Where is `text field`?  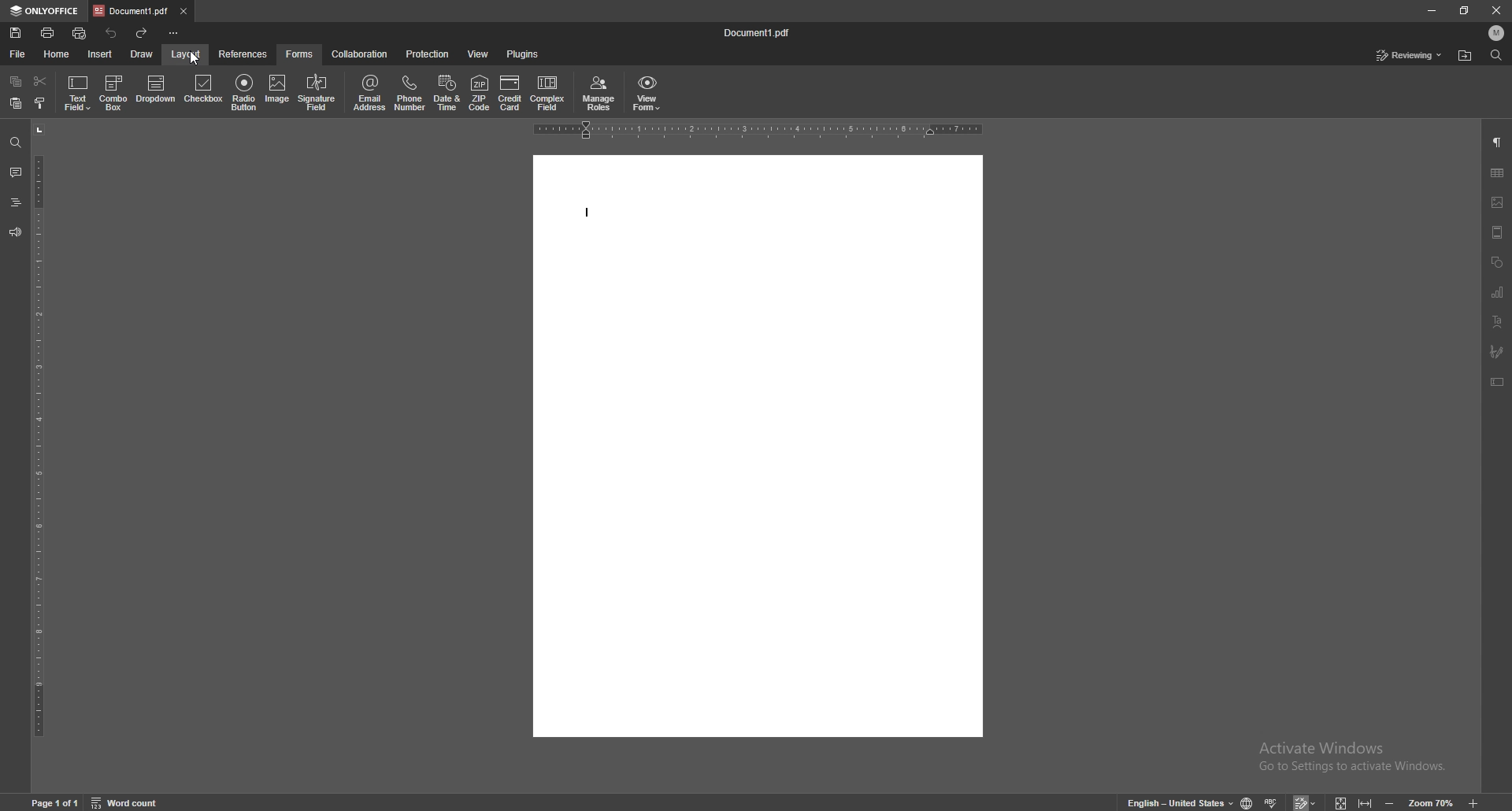 text field is located at coordinates (77, 94).